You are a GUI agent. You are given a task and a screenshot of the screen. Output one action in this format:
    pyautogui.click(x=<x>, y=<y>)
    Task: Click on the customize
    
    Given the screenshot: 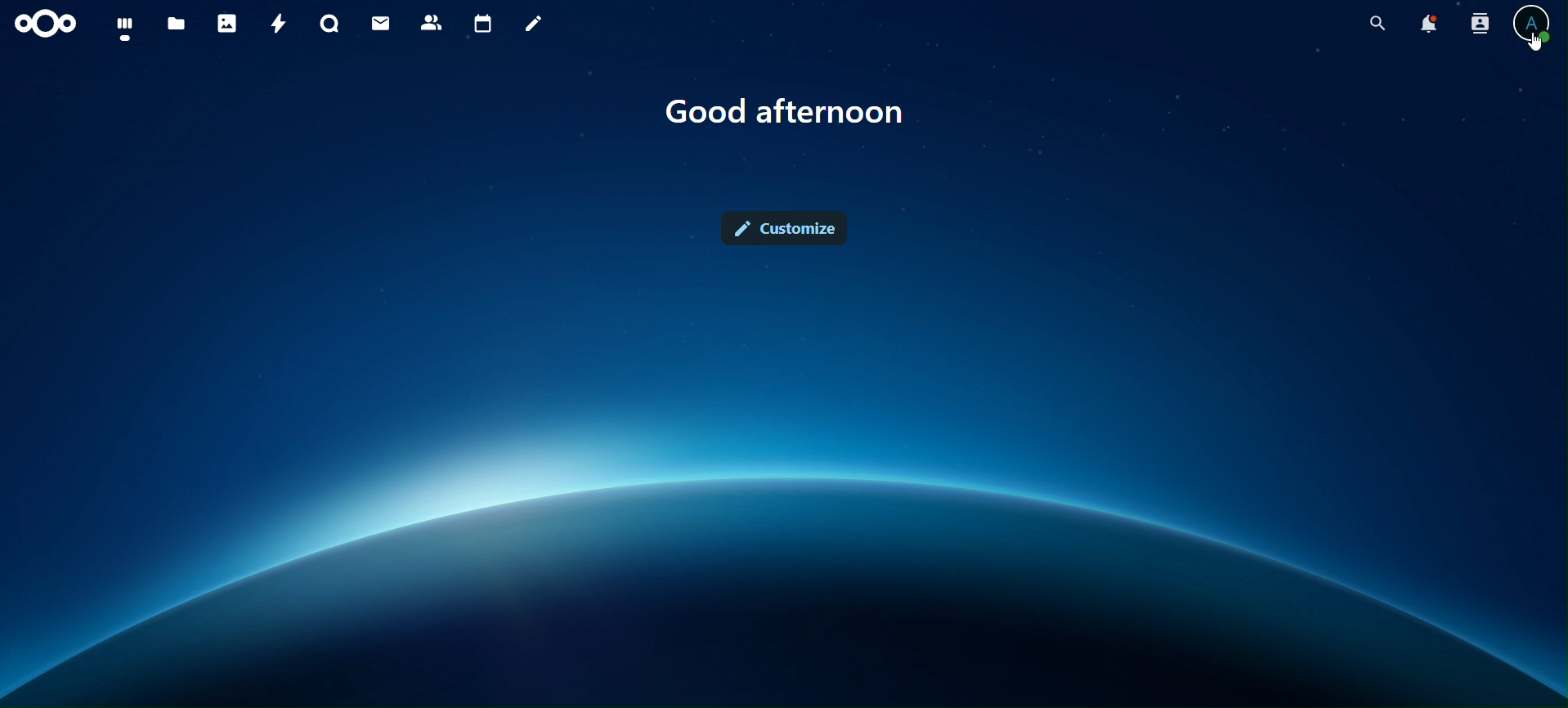 What is the action you would take?
    pyautogui.click(x=790, y=225)
    